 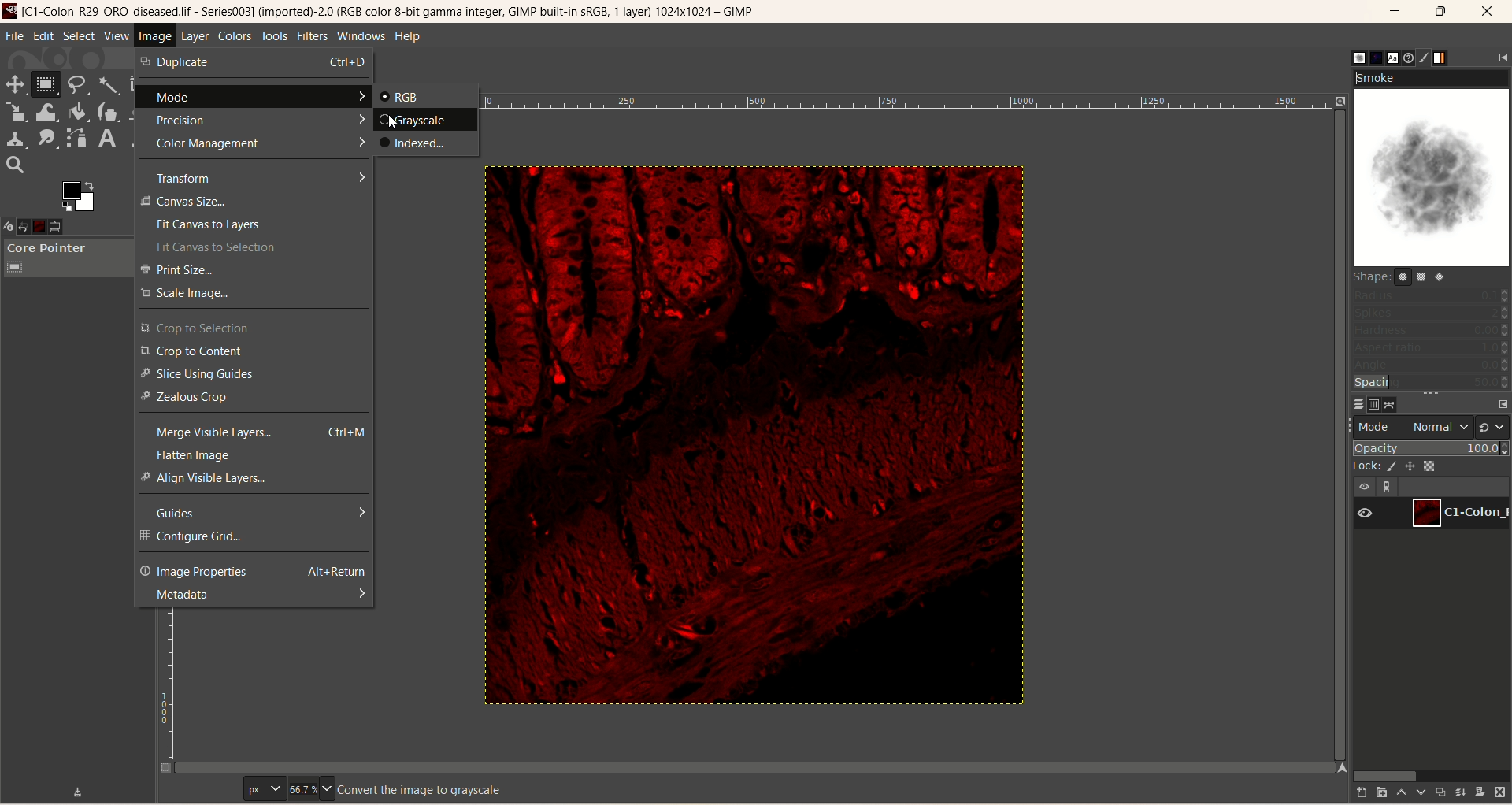 I want to click on configure this tab, so click(x=1503, y=405).